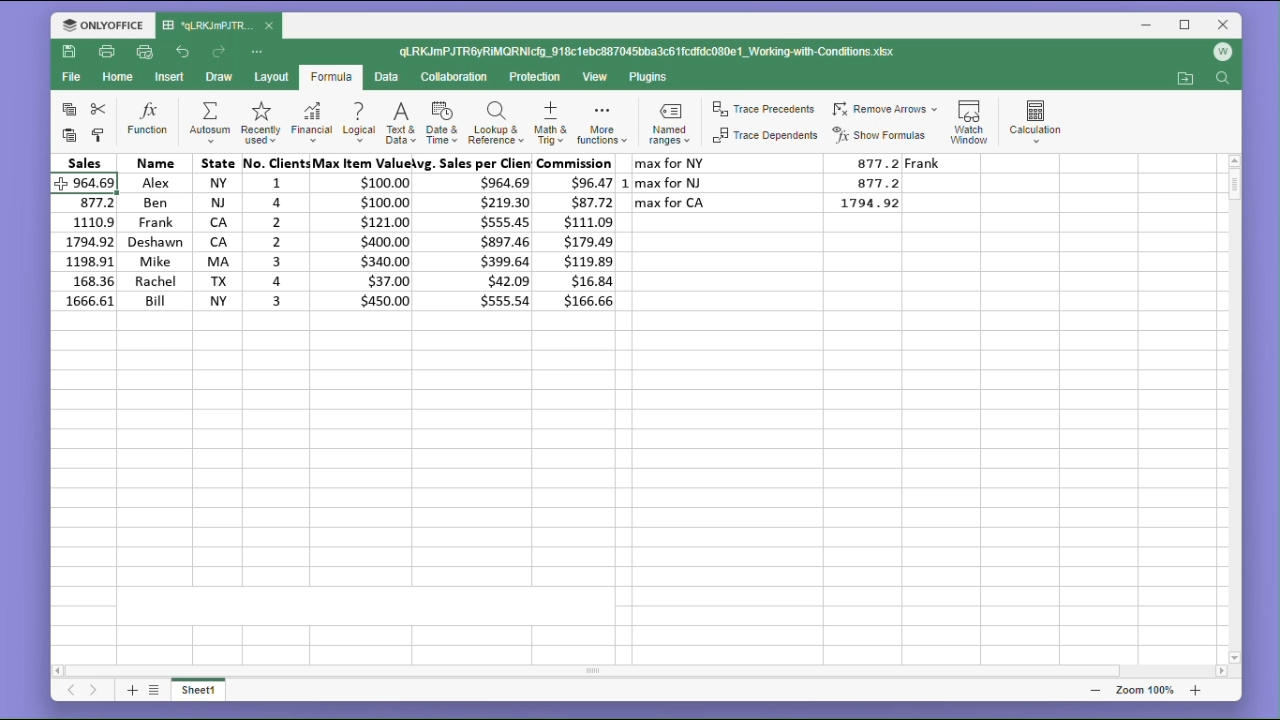  What do you see at coordinates (1220, 672) in the screenshot?
I see `scroll right` at bounding box center [1220, 672].